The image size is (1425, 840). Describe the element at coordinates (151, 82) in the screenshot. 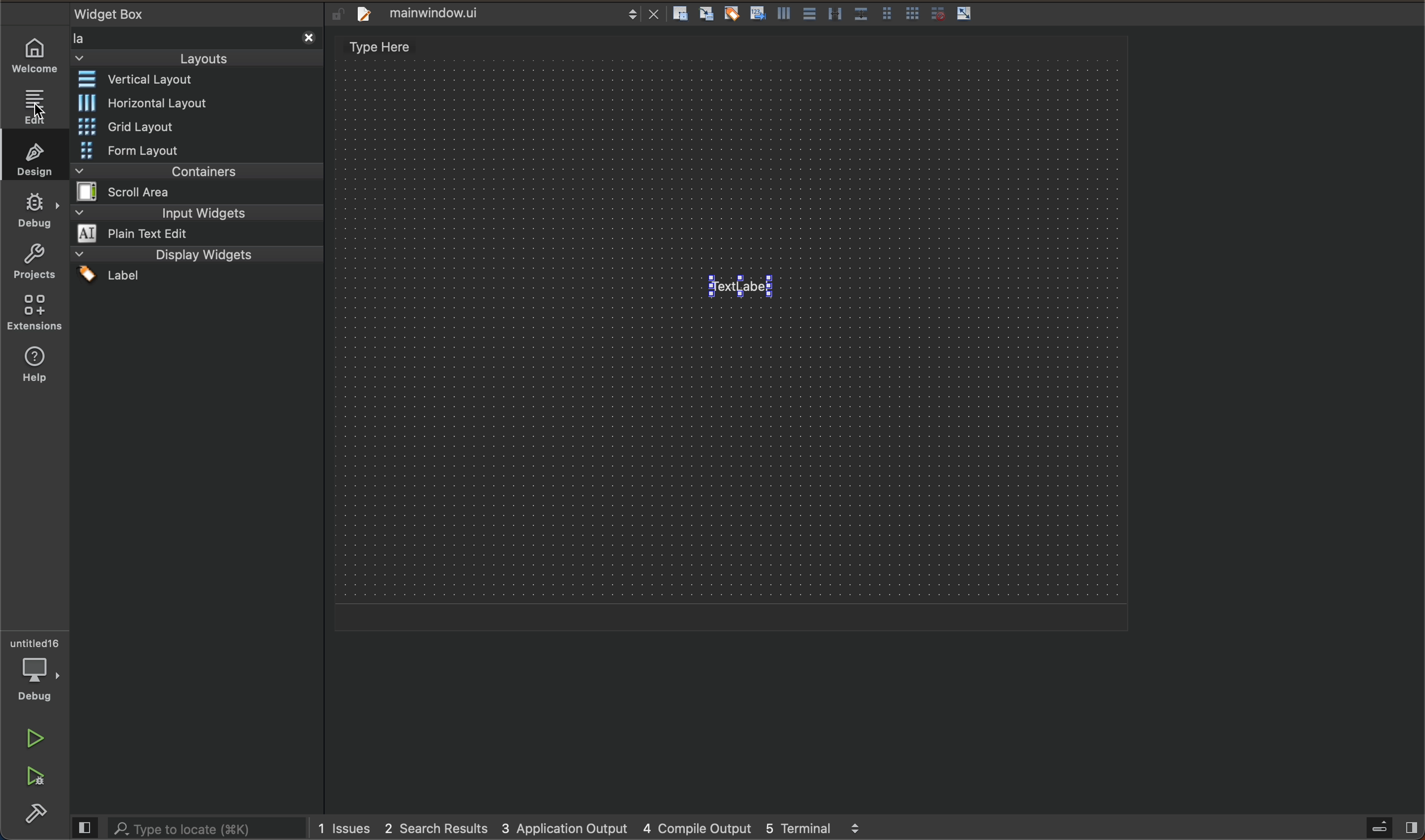

I see `vertical layout` at that location.